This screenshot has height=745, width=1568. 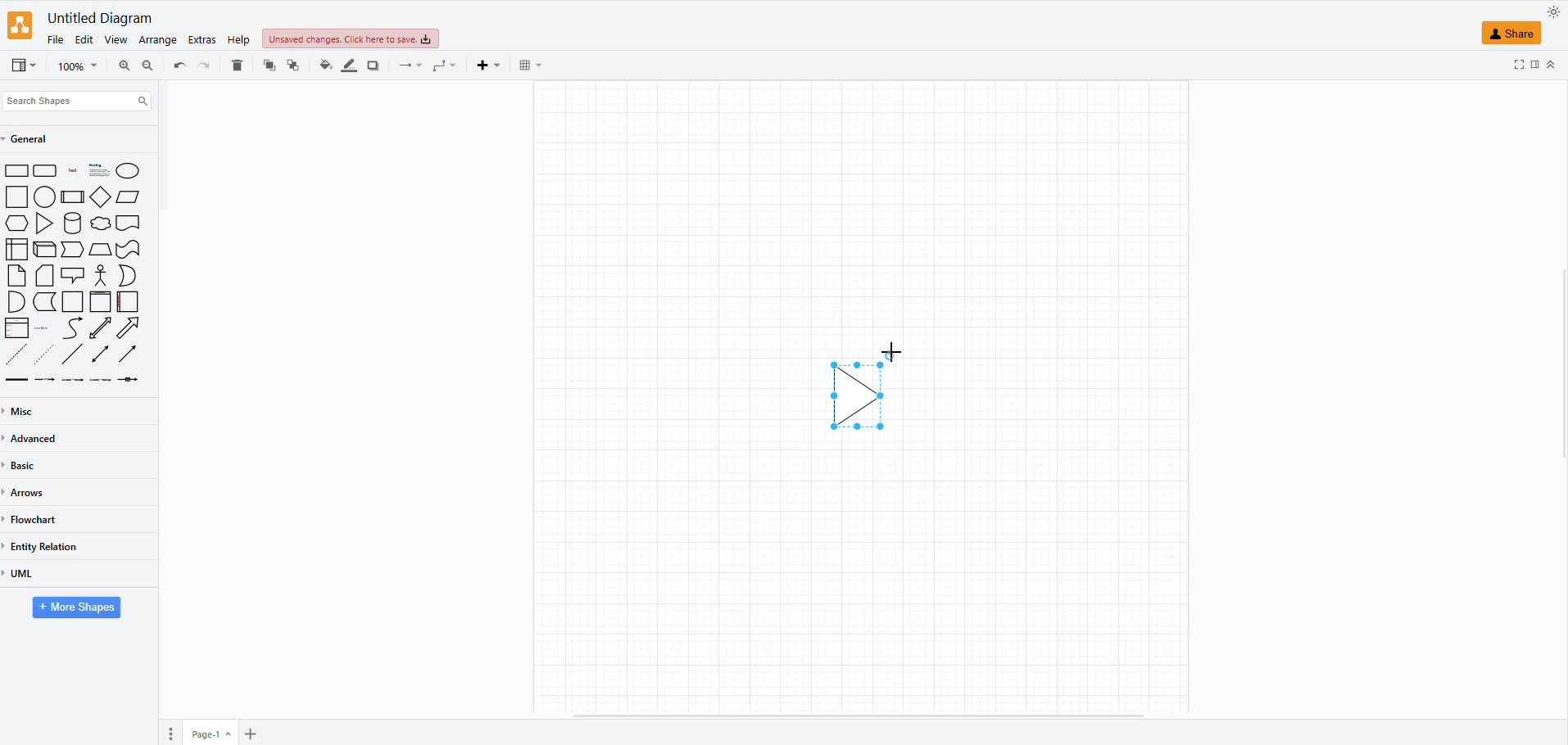 What do you see at coordinates (528, 65) in the screenshot?
I see `table` at bounding box center [528, 65].